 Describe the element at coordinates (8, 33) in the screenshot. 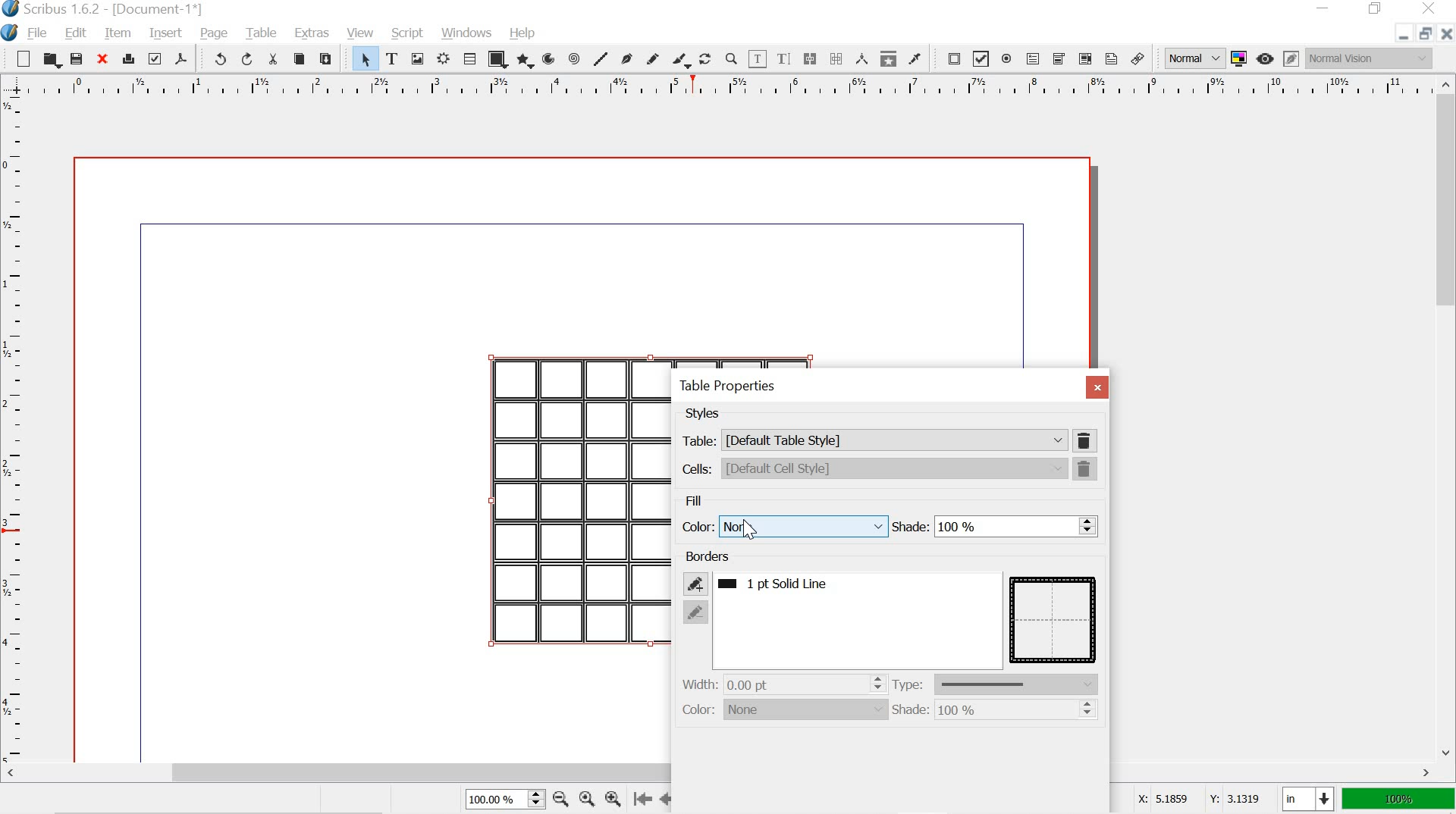

I see `logo` at that location.